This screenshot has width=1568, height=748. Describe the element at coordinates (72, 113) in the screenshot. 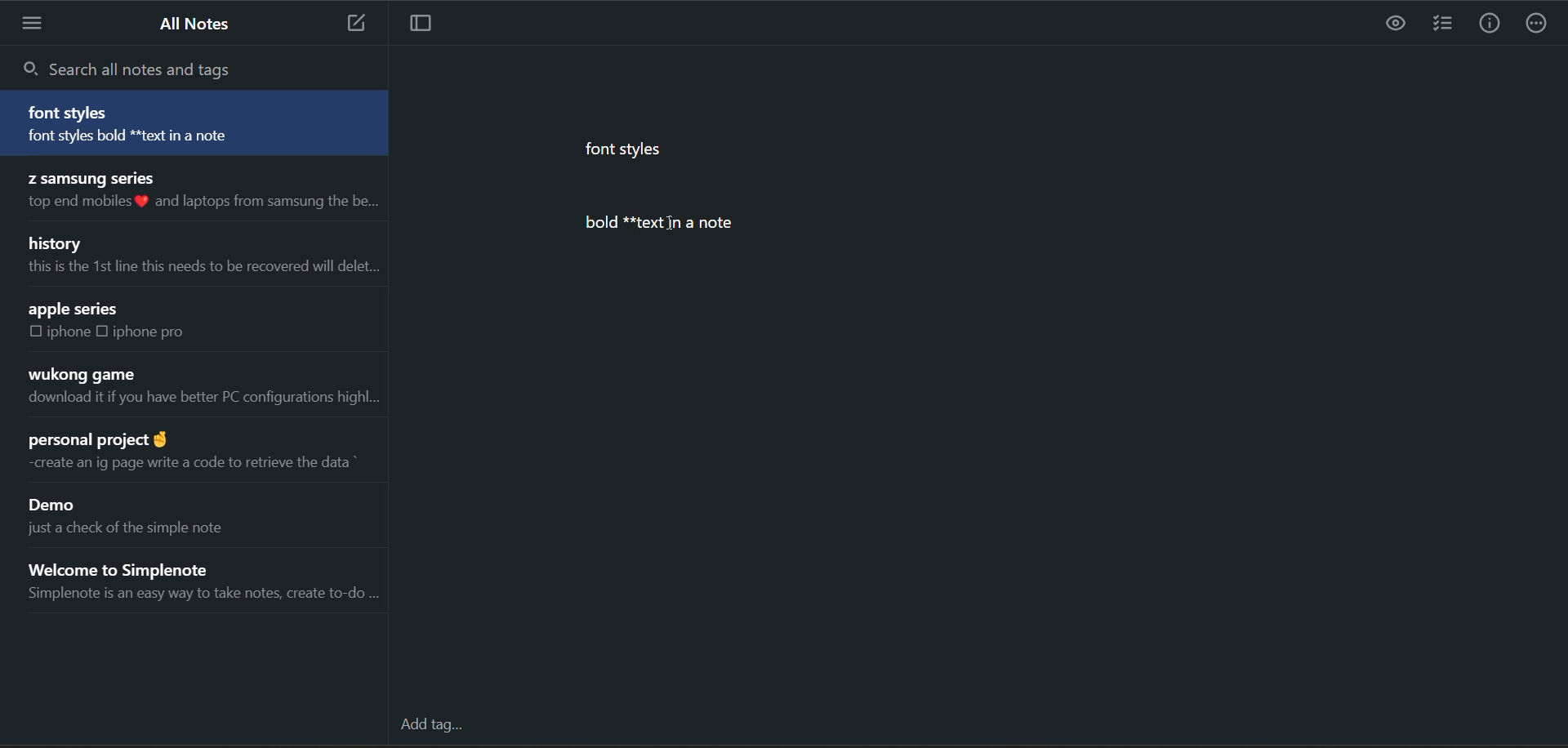

I see `font styles` at that location.